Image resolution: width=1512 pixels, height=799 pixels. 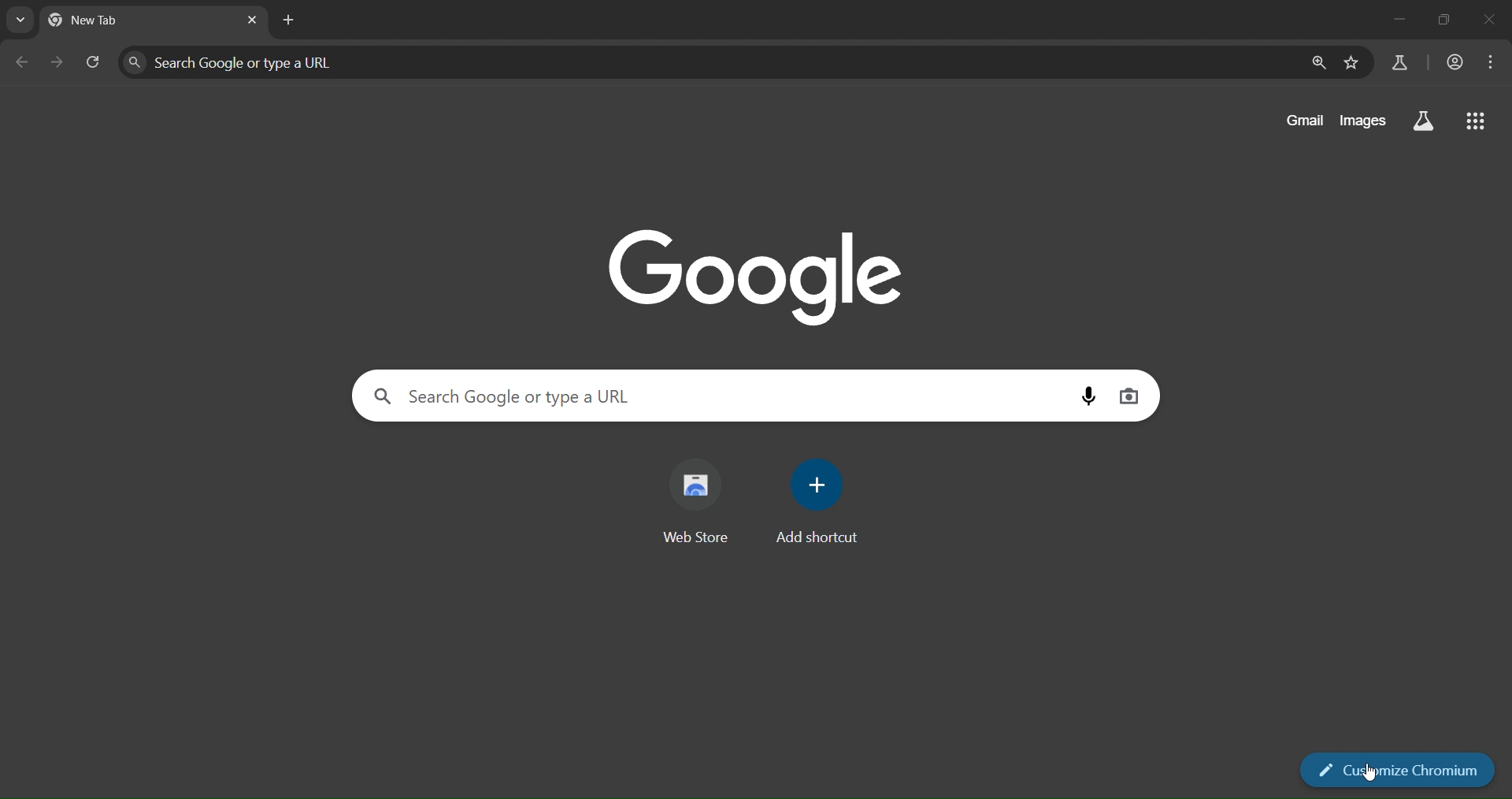 What do you see at coordinates (1310, 118) in the screenshot?
I see `gmail` at bounding box center [1310, 118].